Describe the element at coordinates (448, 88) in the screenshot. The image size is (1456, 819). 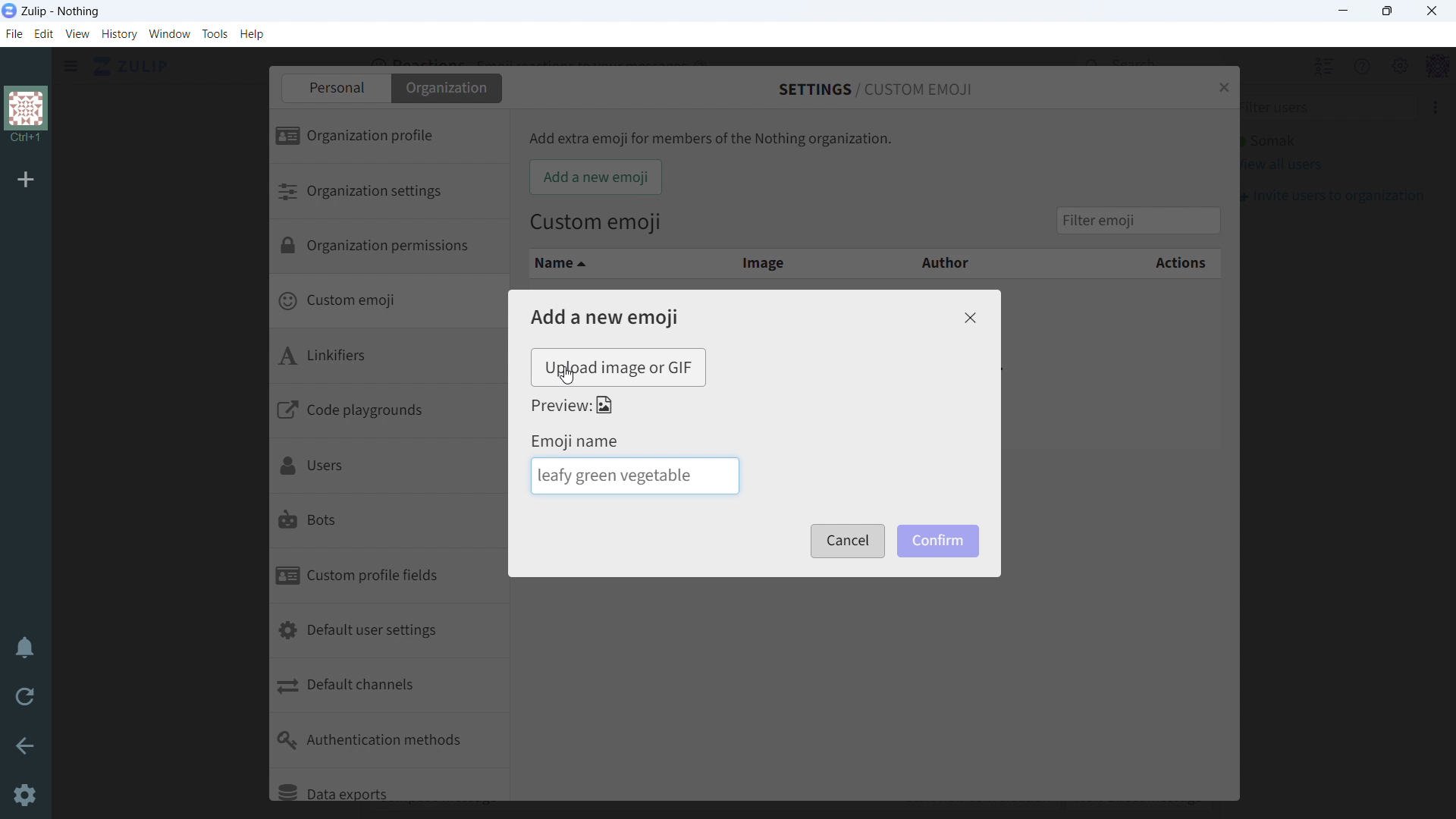
I see `organization` at that location.